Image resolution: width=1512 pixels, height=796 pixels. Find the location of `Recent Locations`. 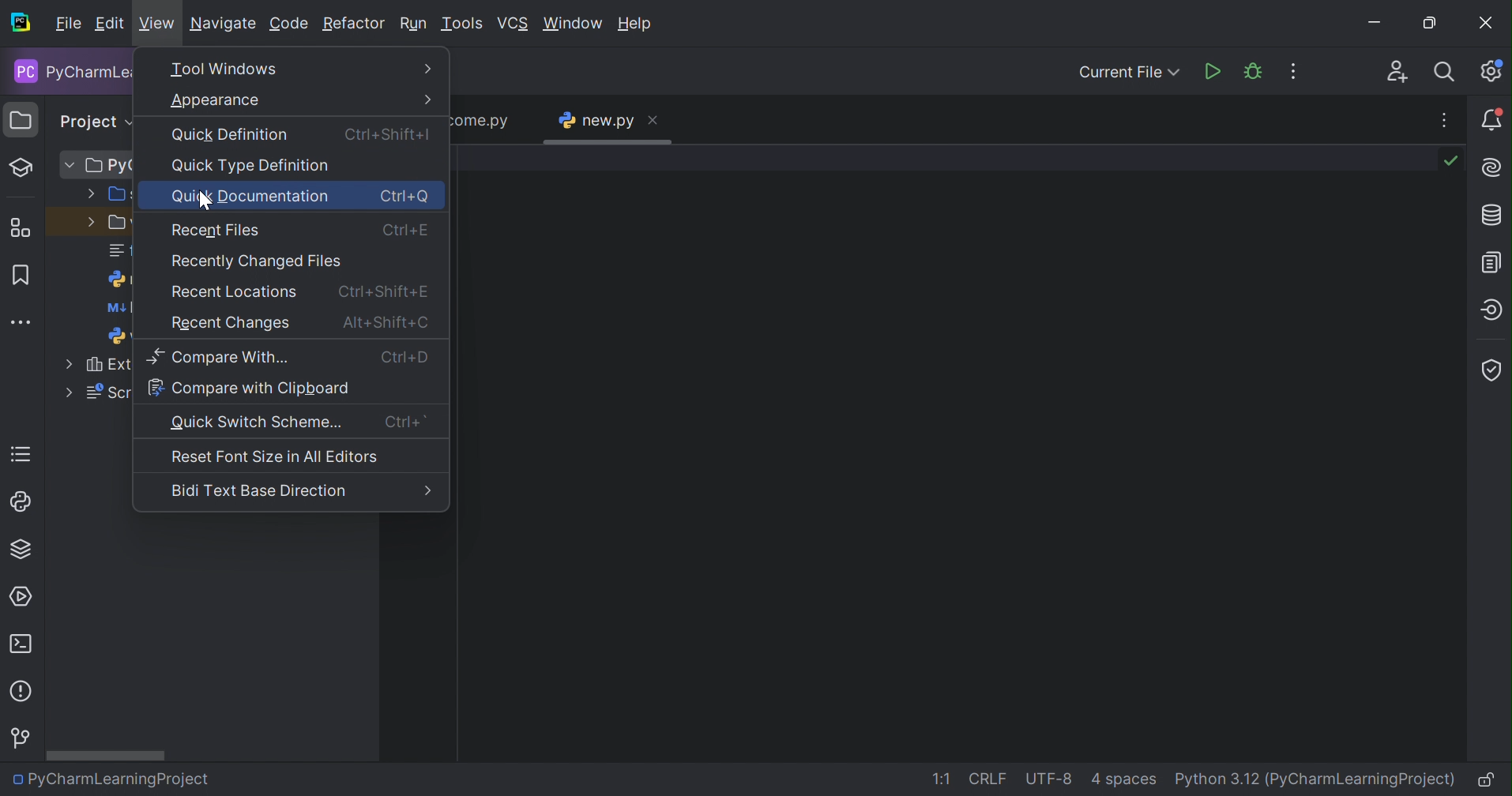

Recent Locations is located at coordinates (235, 293).